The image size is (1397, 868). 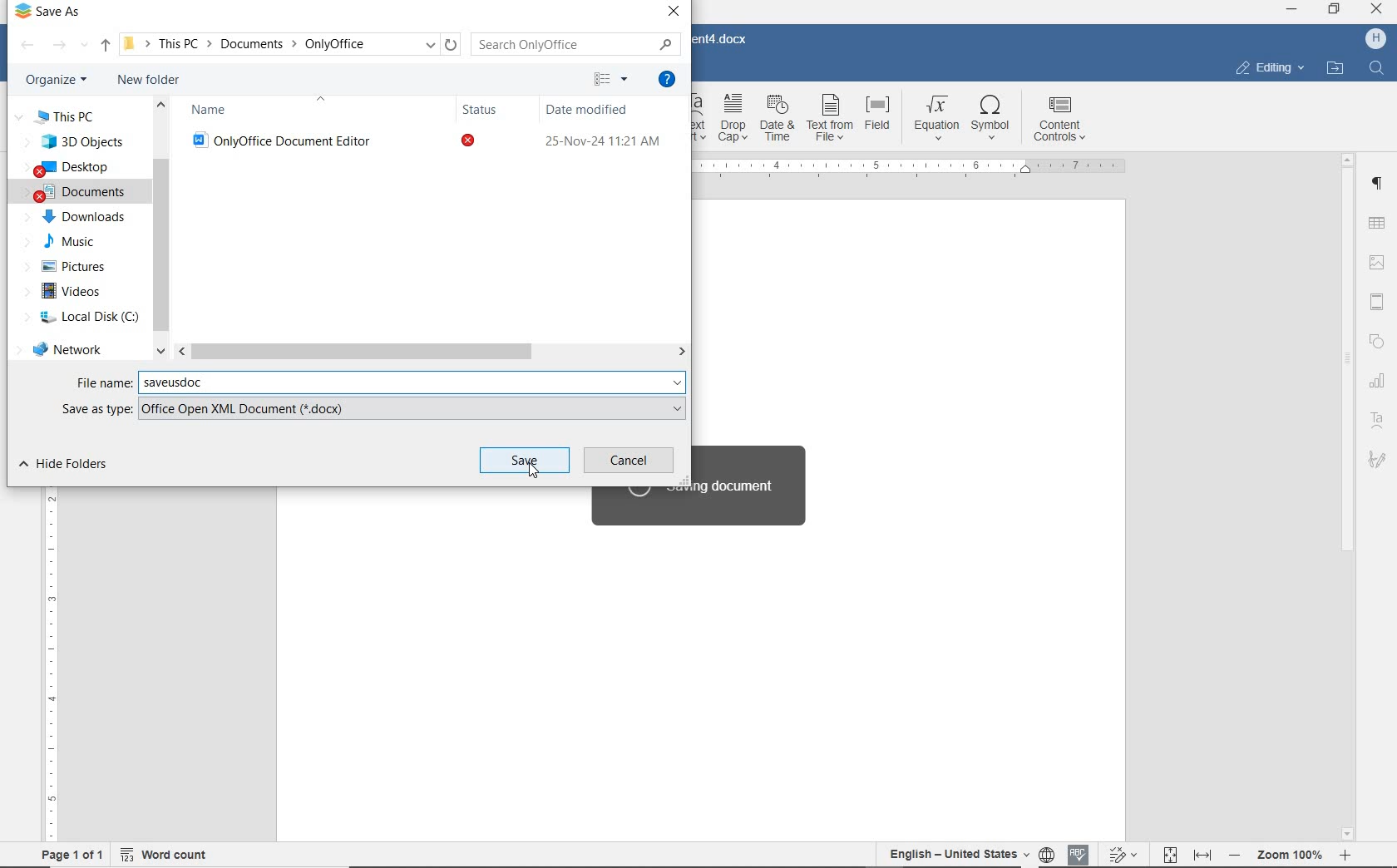 I want to click on - Zoom 100% +, so click(x=1292, y=855).